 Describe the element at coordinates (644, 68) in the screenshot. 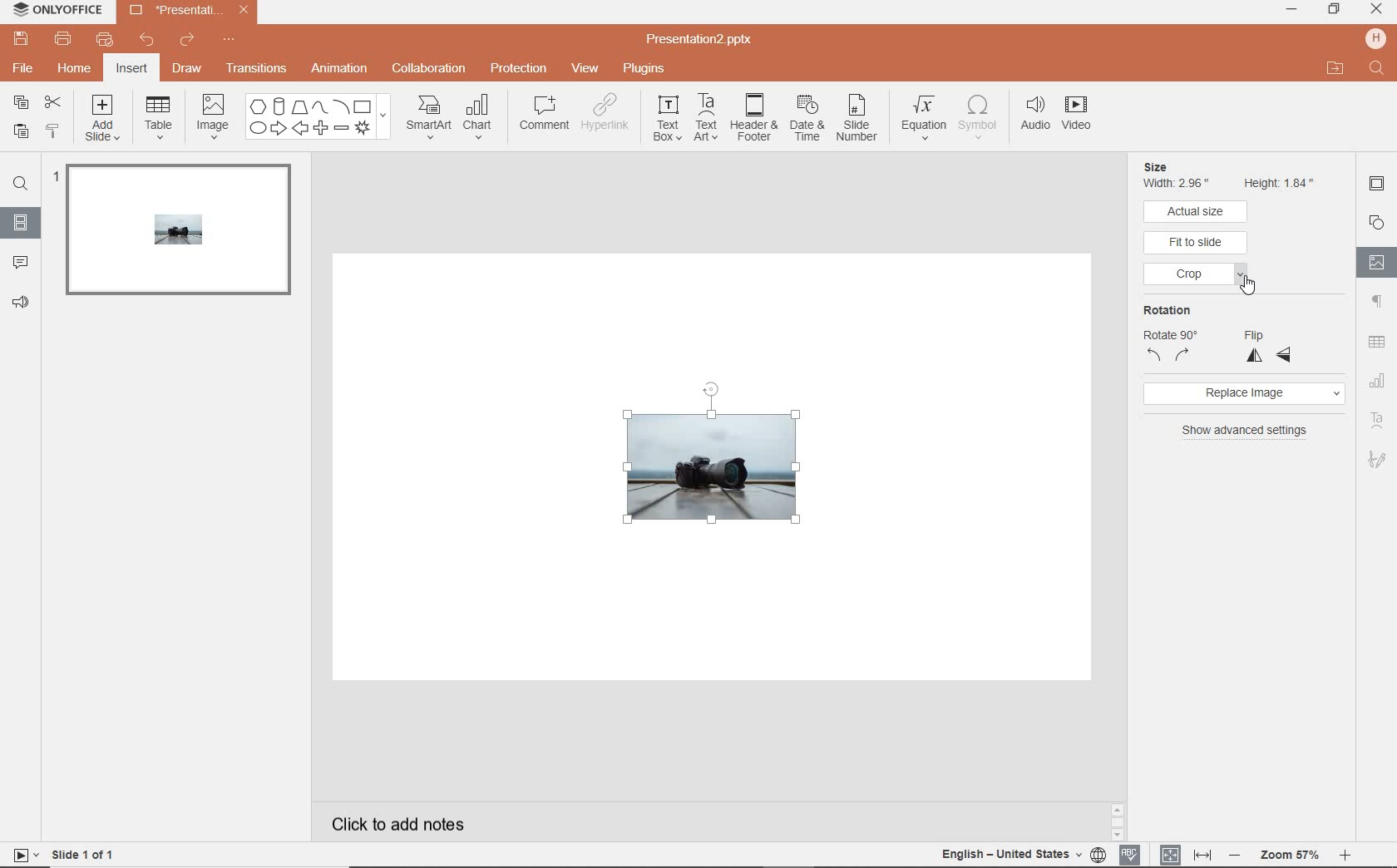

I see `plugins` at that location.